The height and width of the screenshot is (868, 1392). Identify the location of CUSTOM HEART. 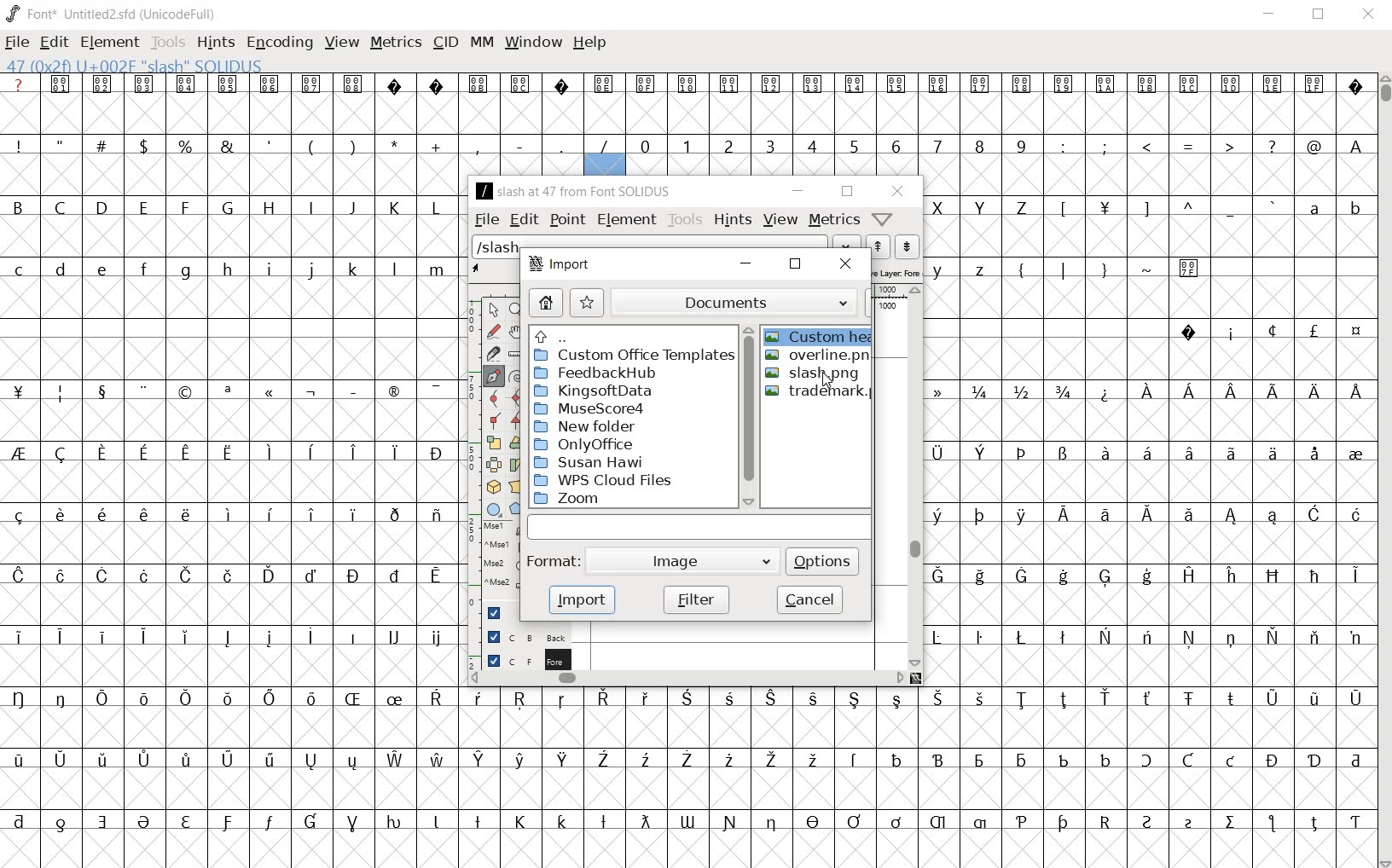
(820, 336).